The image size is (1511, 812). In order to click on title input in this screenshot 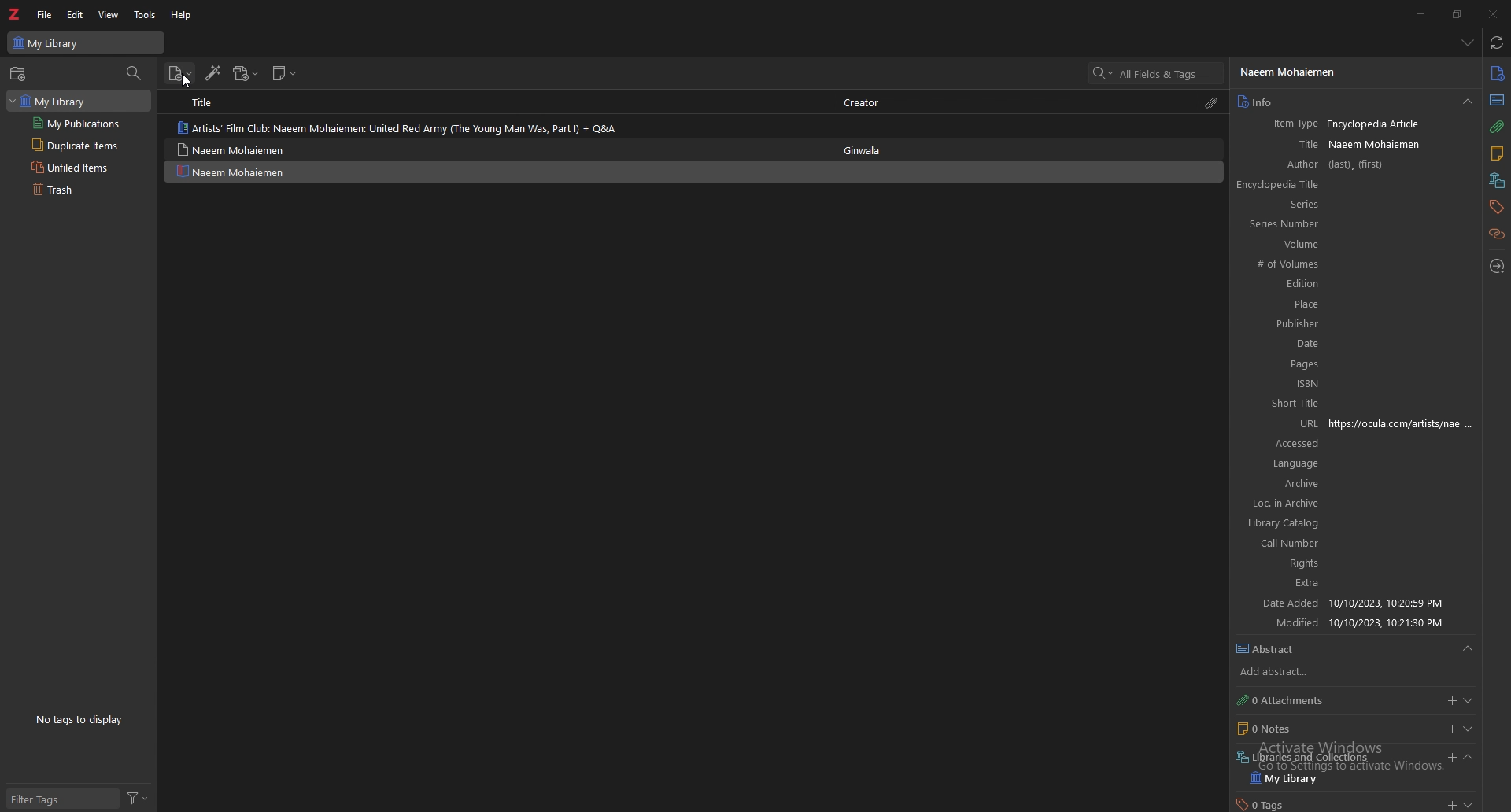, I will do `click(1402, 145)`.